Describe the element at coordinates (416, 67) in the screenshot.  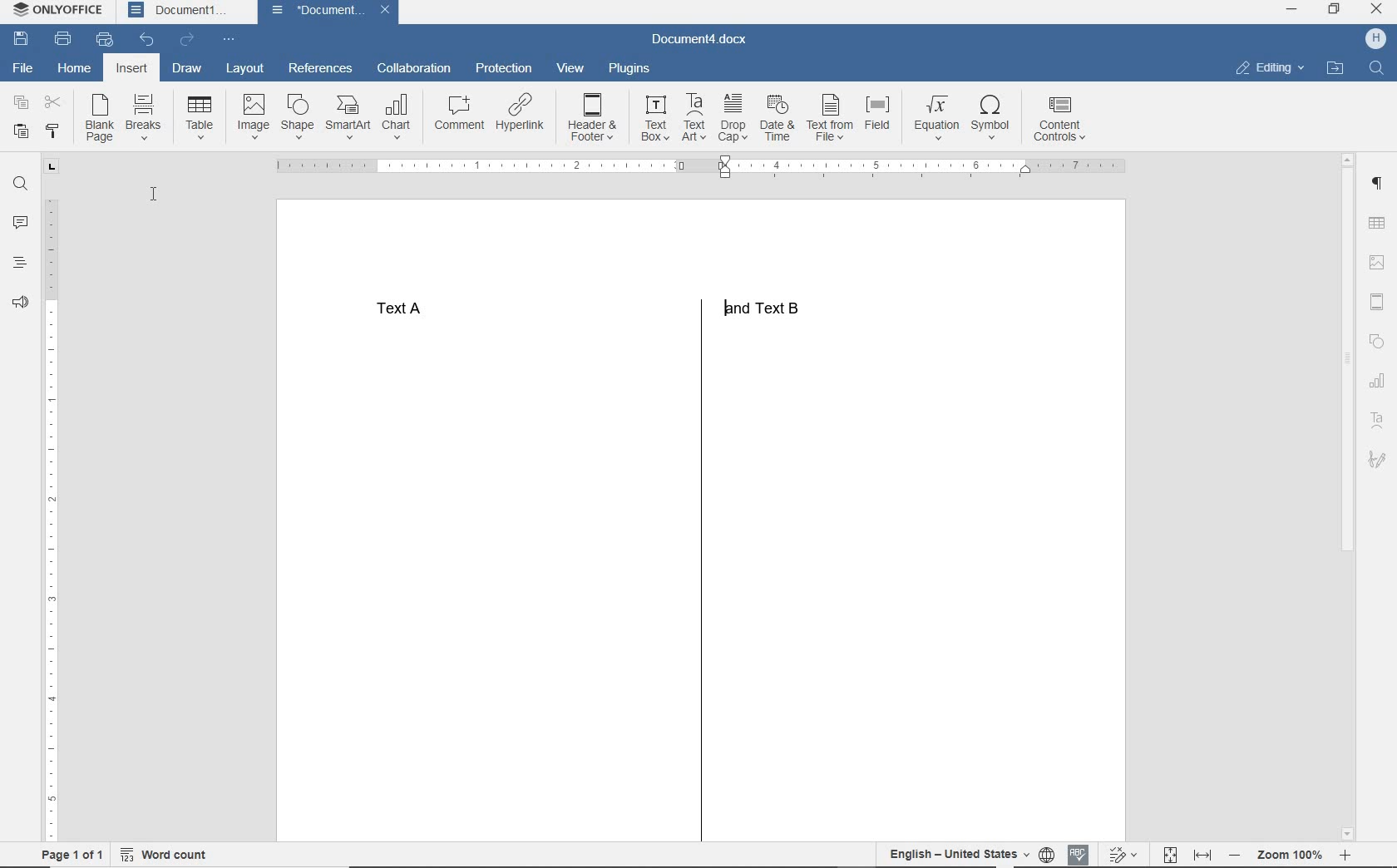
I see `COLLABORATION` at that location.